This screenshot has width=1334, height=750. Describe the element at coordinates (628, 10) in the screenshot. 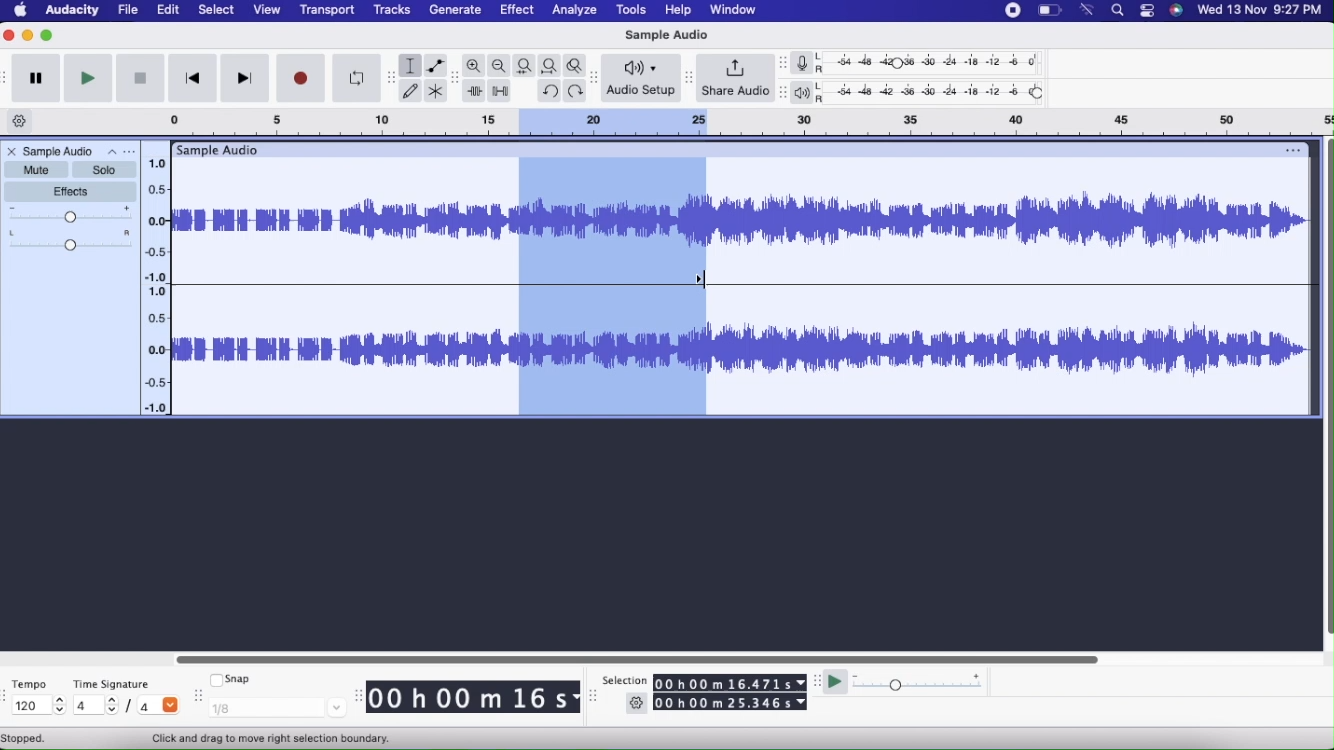

I see `tools` at that location.